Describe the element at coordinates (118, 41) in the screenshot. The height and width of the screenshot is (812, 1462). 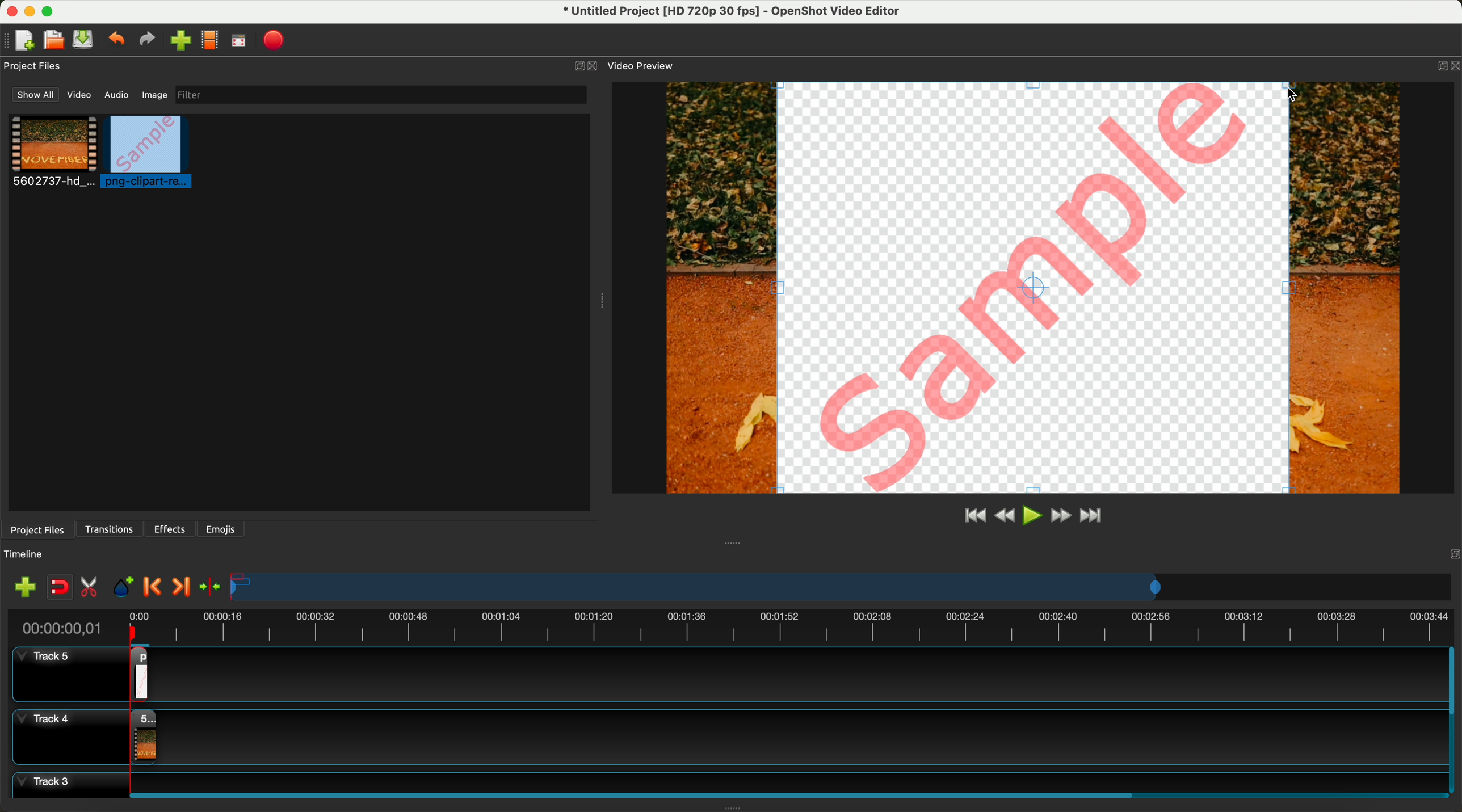
I see `undo` at that location.